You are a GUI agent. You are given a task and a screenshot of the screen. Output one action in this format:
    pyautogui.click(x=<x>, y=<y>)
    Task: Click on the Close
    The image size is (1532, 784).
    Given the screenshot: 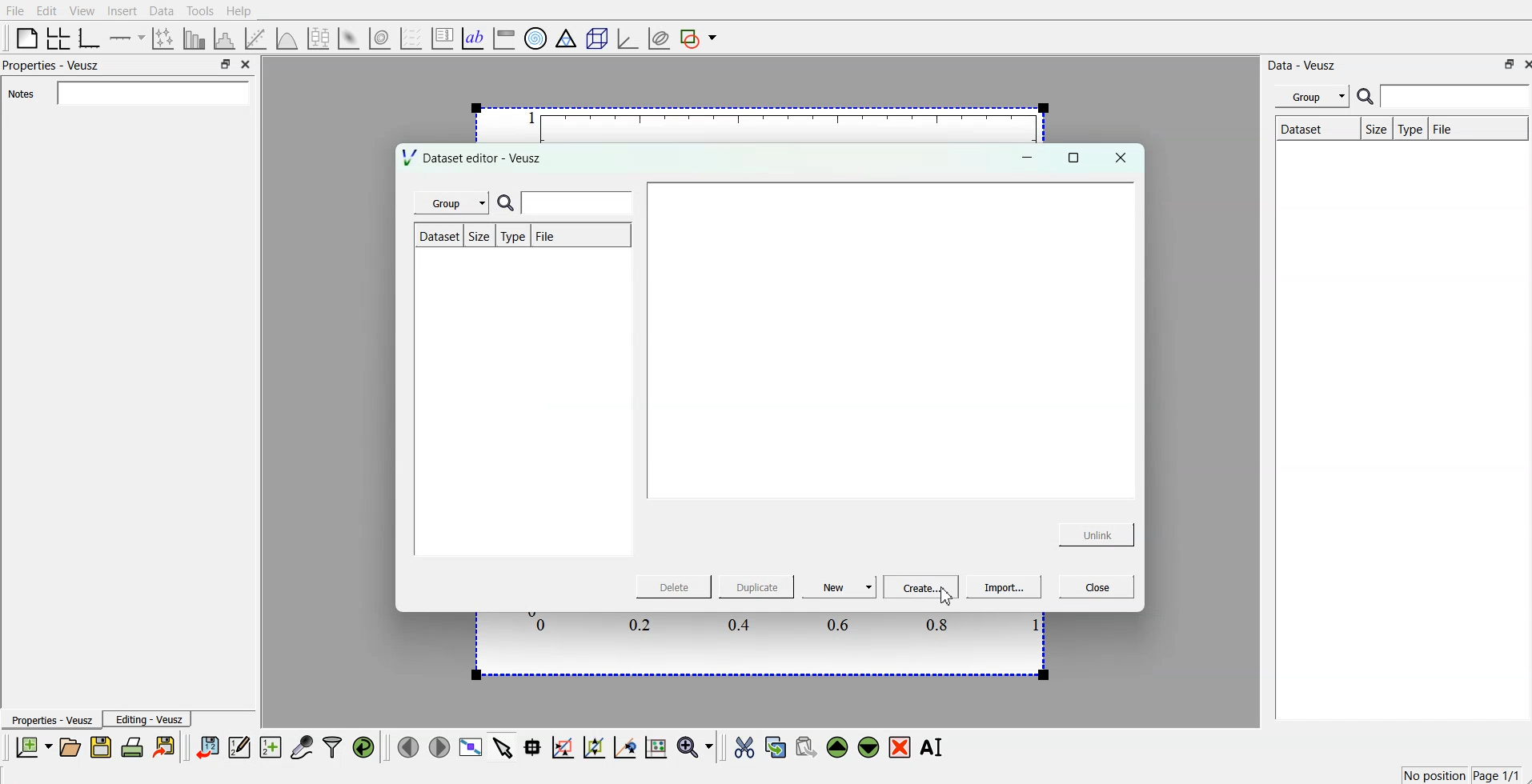 What is the action you would take?
    pyautogui.click(x=1094, y=586)
    